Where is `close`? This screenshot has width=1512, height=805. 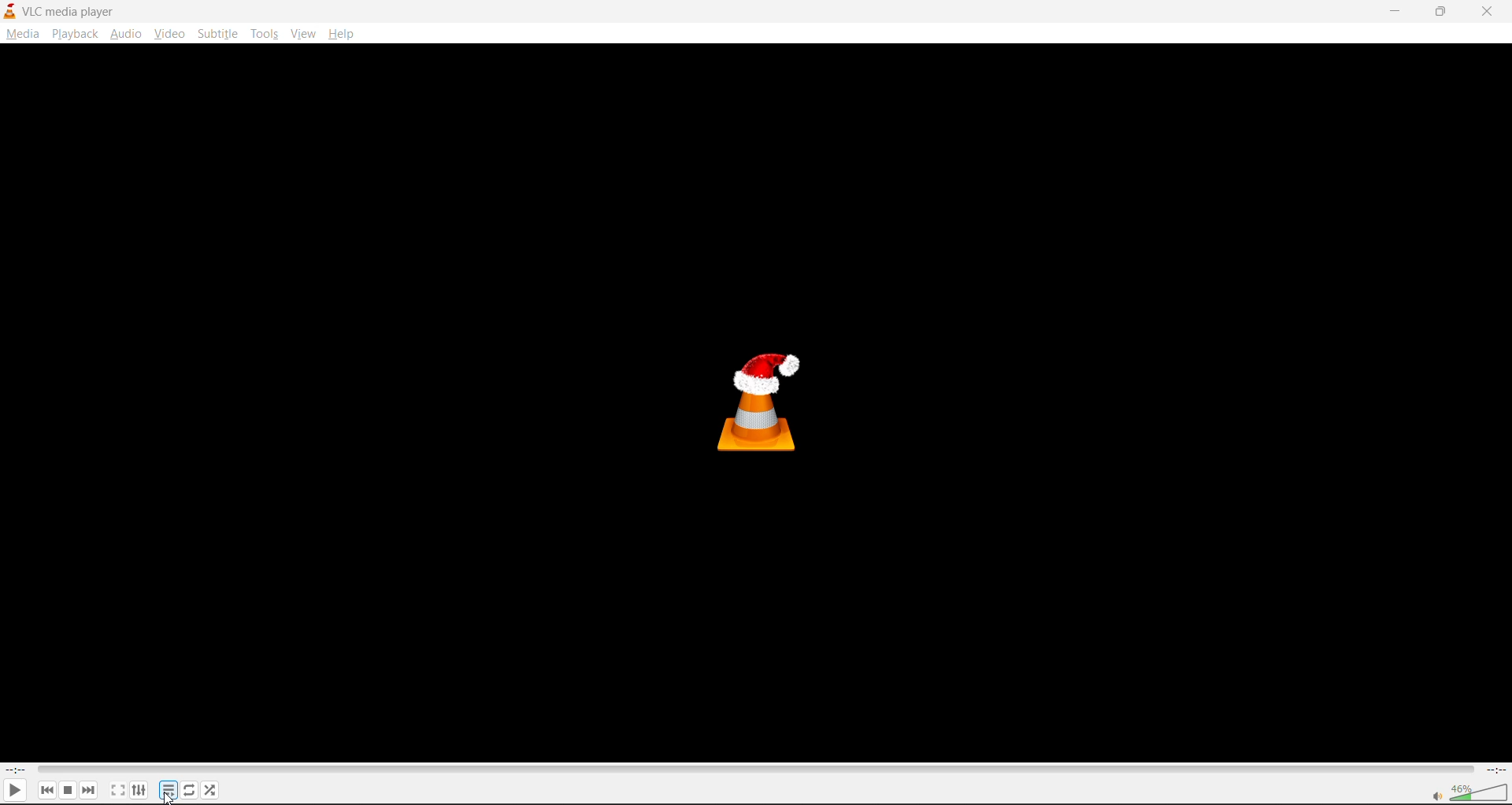 close is located at coordinates (1490, 11).